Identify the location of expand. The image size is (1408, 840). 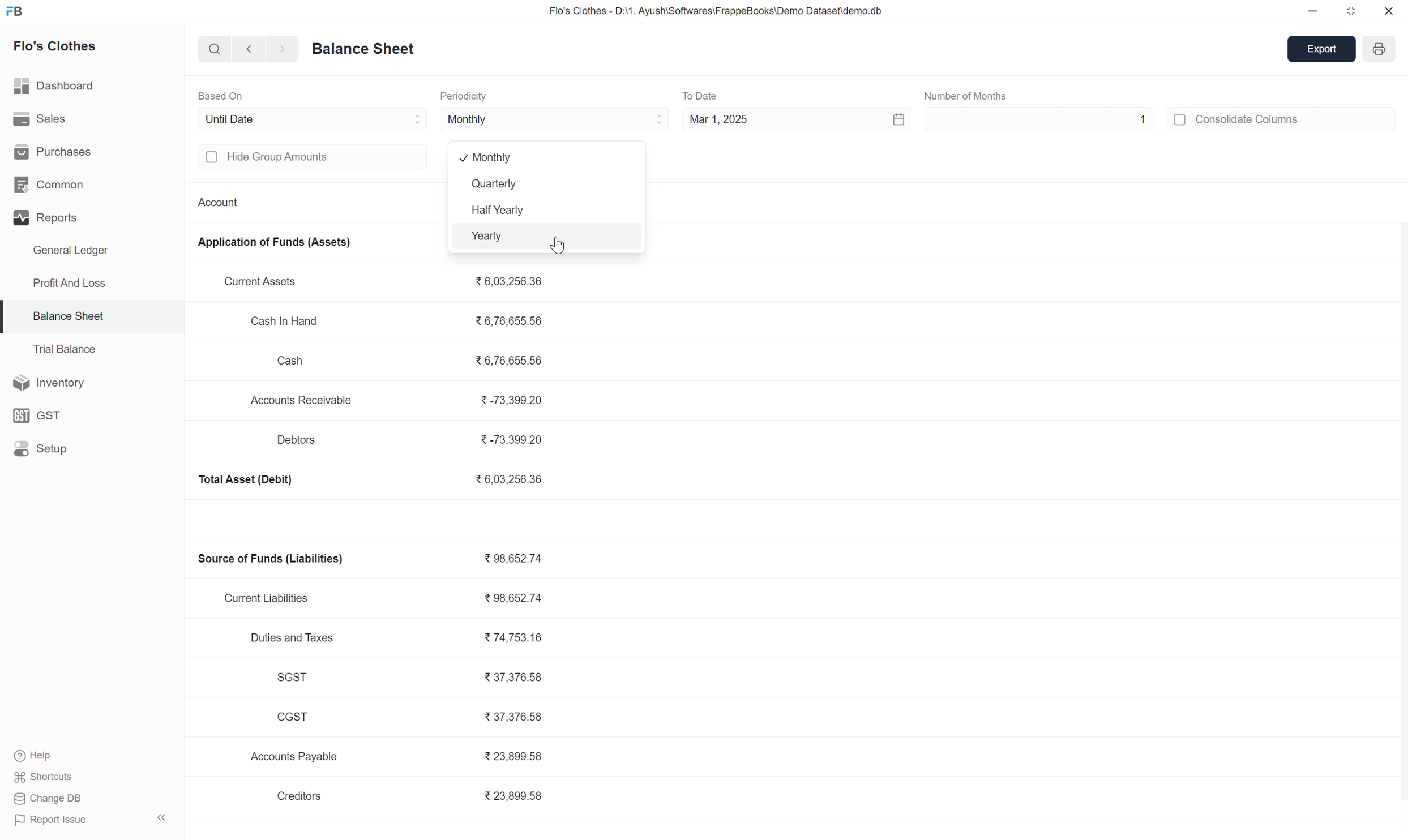
(161, 815).